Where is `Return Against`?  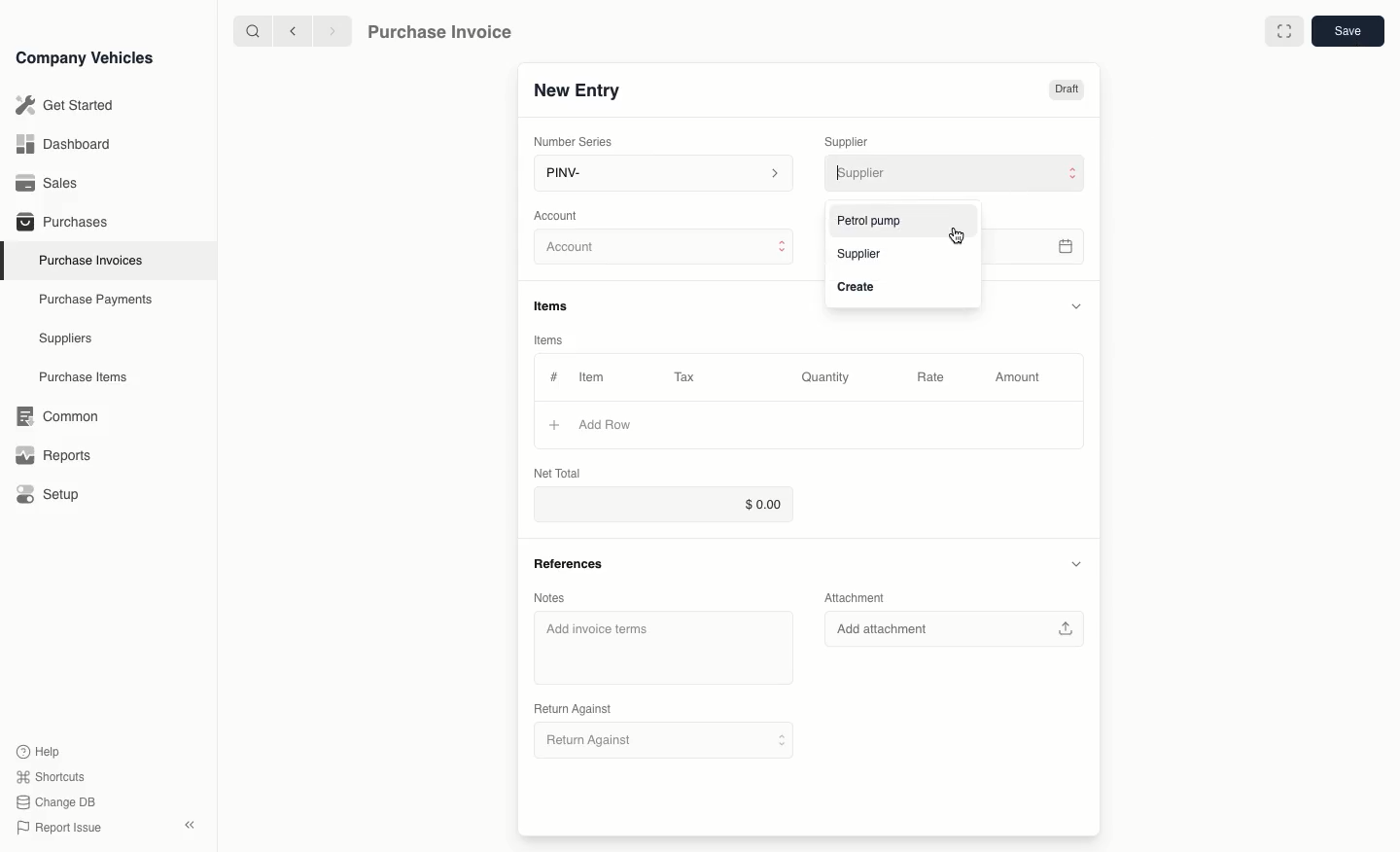 Return Against is located at coordinates (572, 708).